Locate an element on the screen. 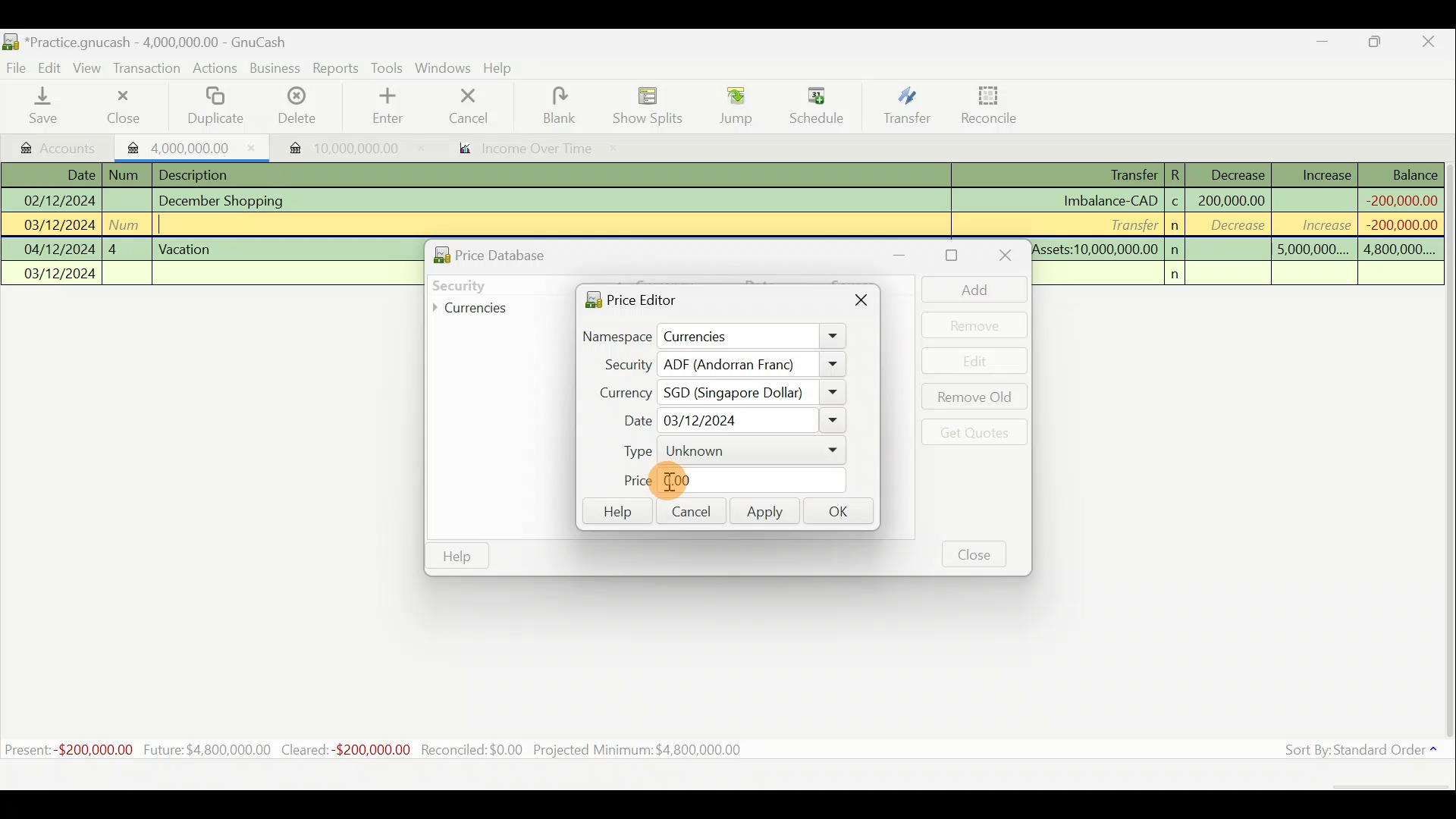  Transfer is located at coordinates (1119, 176).